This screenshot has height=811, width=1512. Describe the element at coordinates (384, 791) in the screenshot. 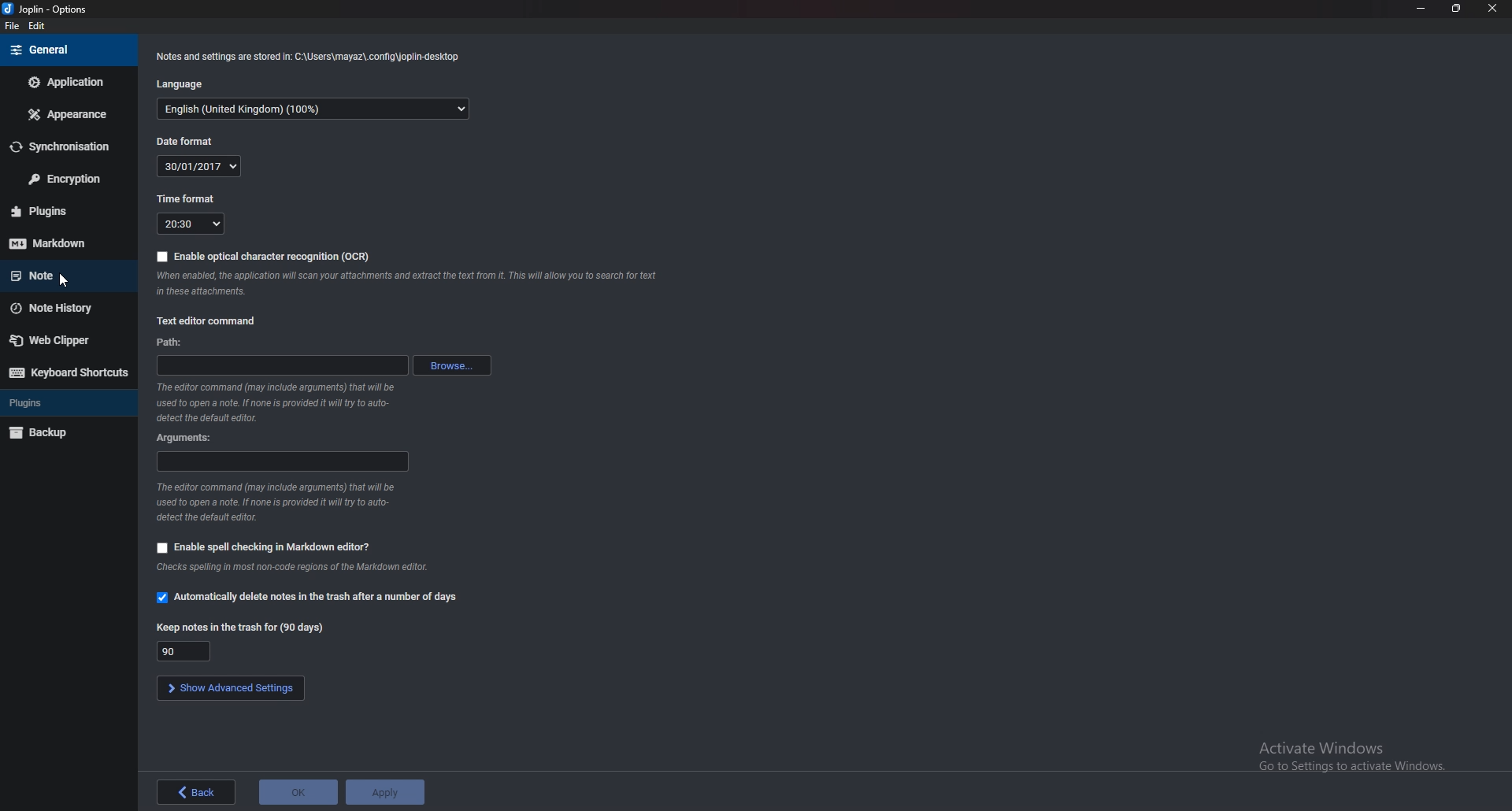

I see `applu` at that location.